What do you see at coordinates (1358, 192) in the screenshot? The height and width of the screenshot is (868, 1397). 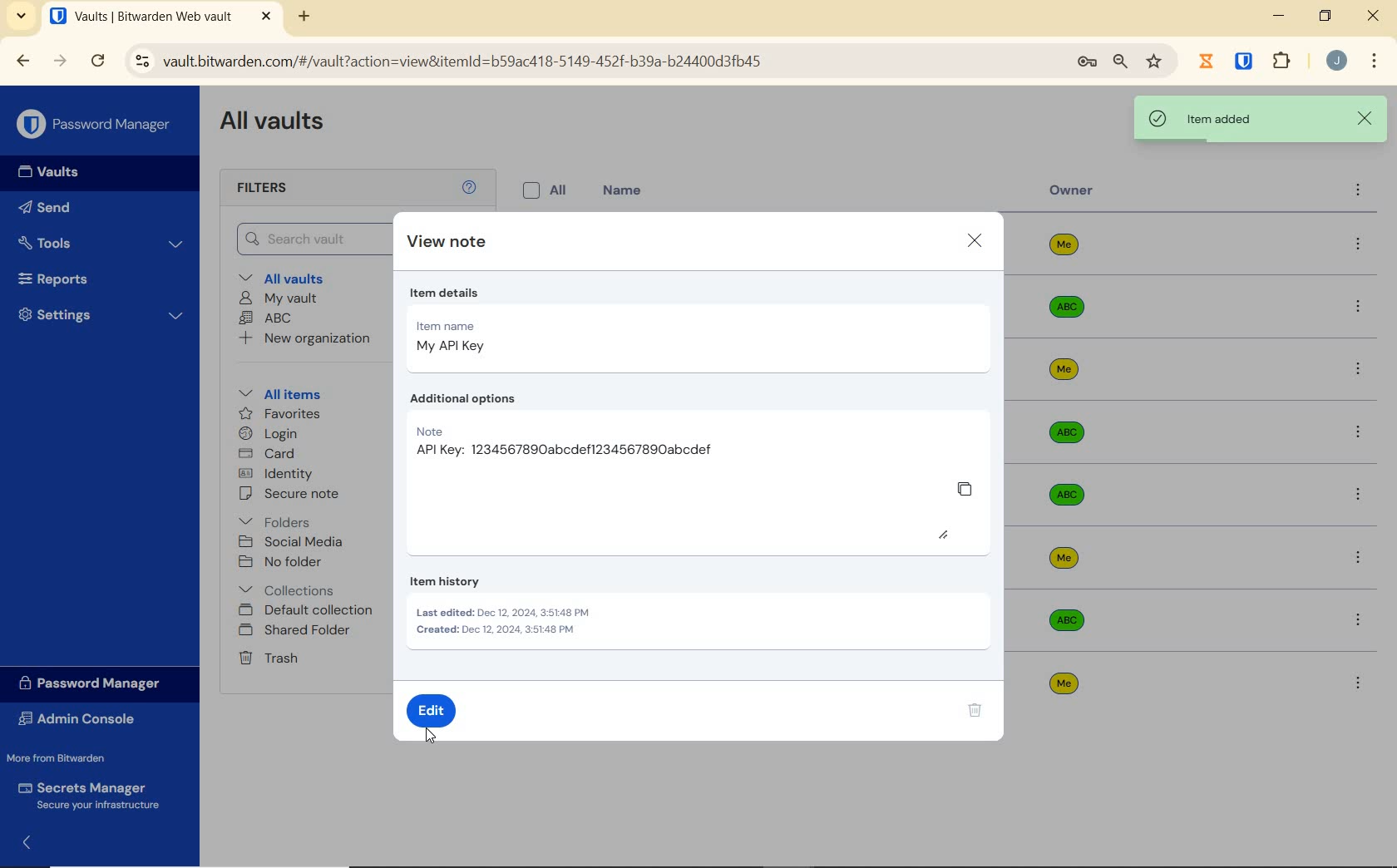 I see `more options` at bounding box center [1358, 192].